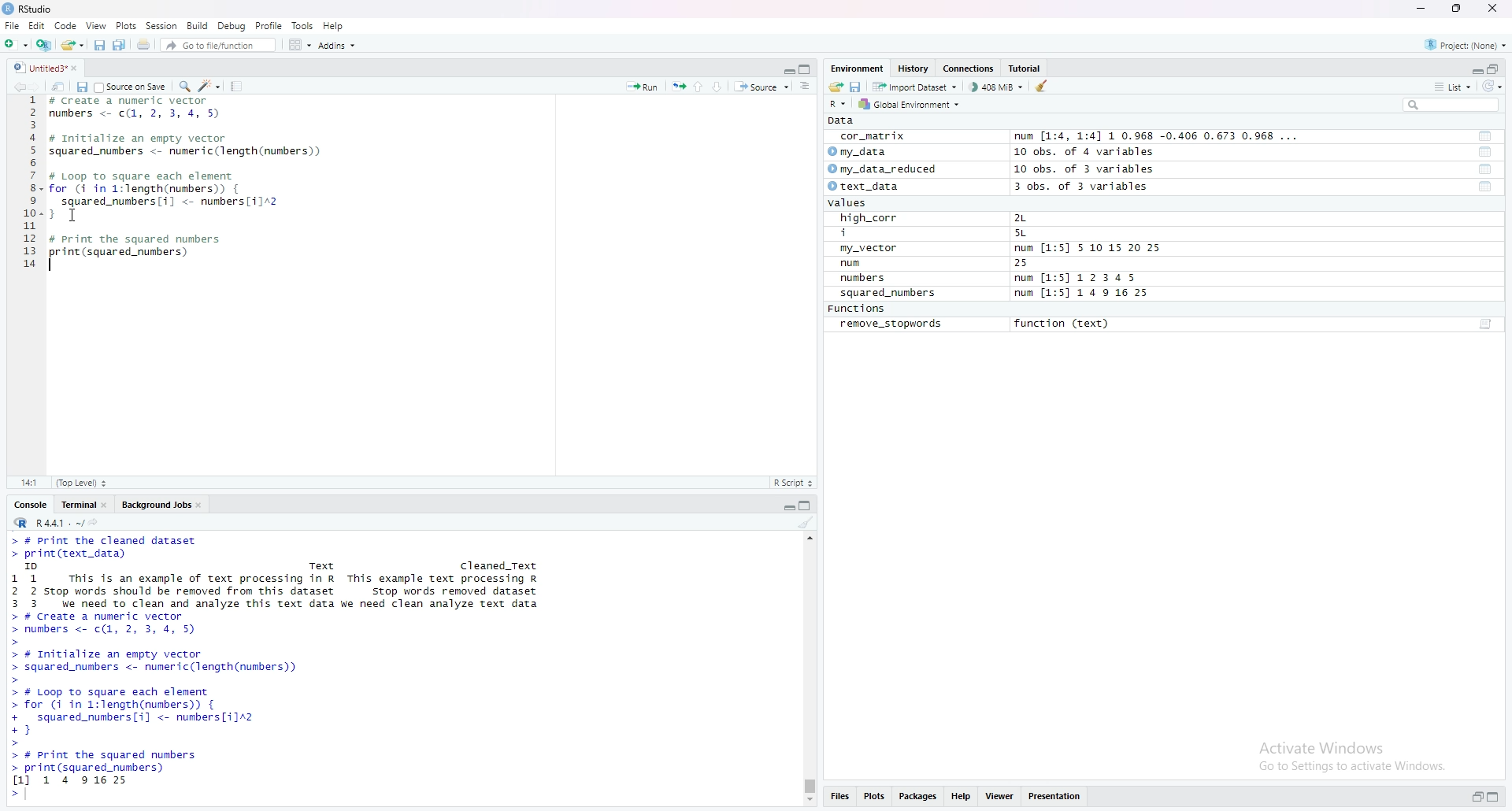 The image size is (1512, 811). I want to click on compile report, so click(236, 86).